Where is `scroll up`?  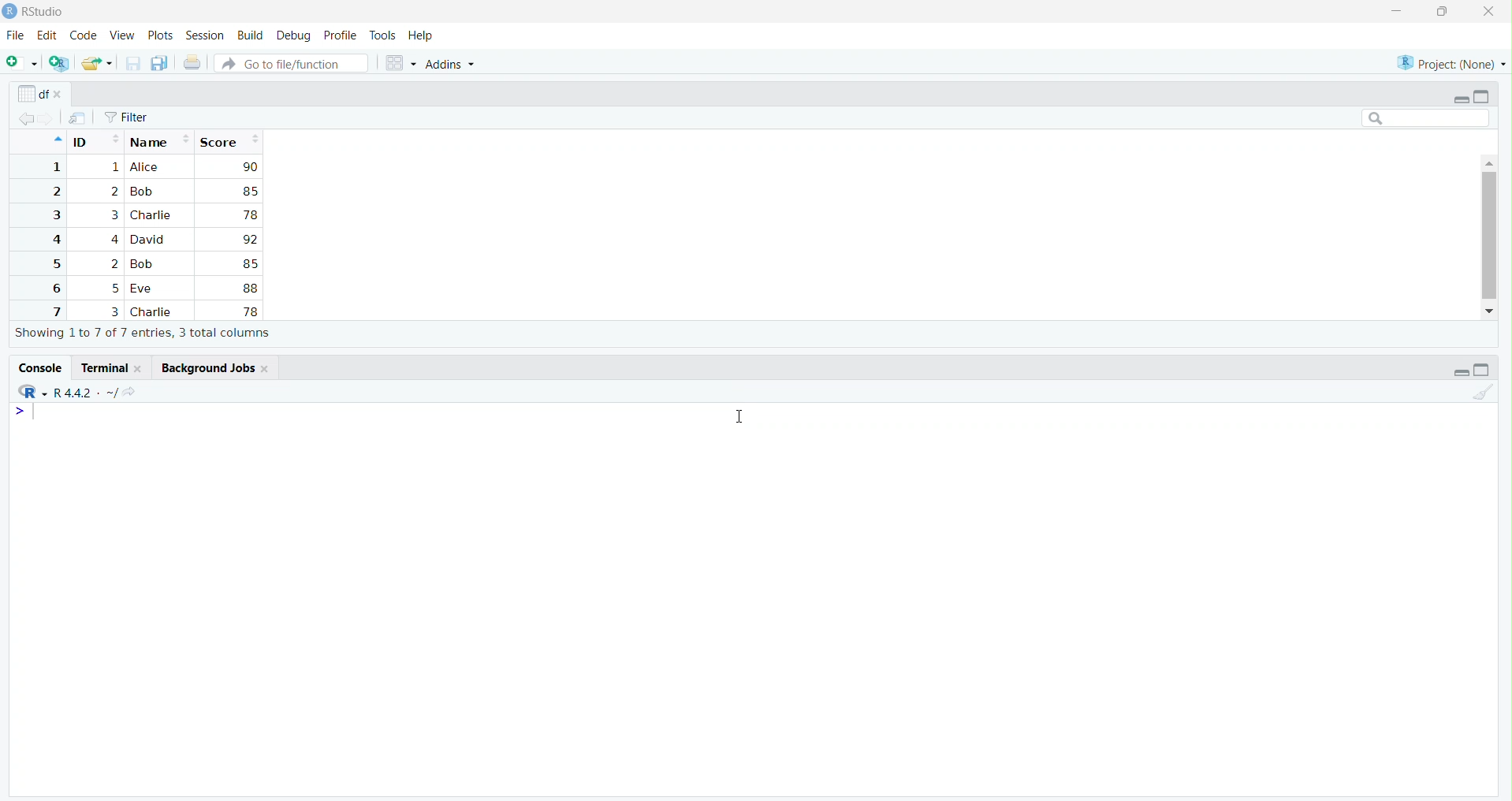 scroll up is located at coordinates (1488, 162).